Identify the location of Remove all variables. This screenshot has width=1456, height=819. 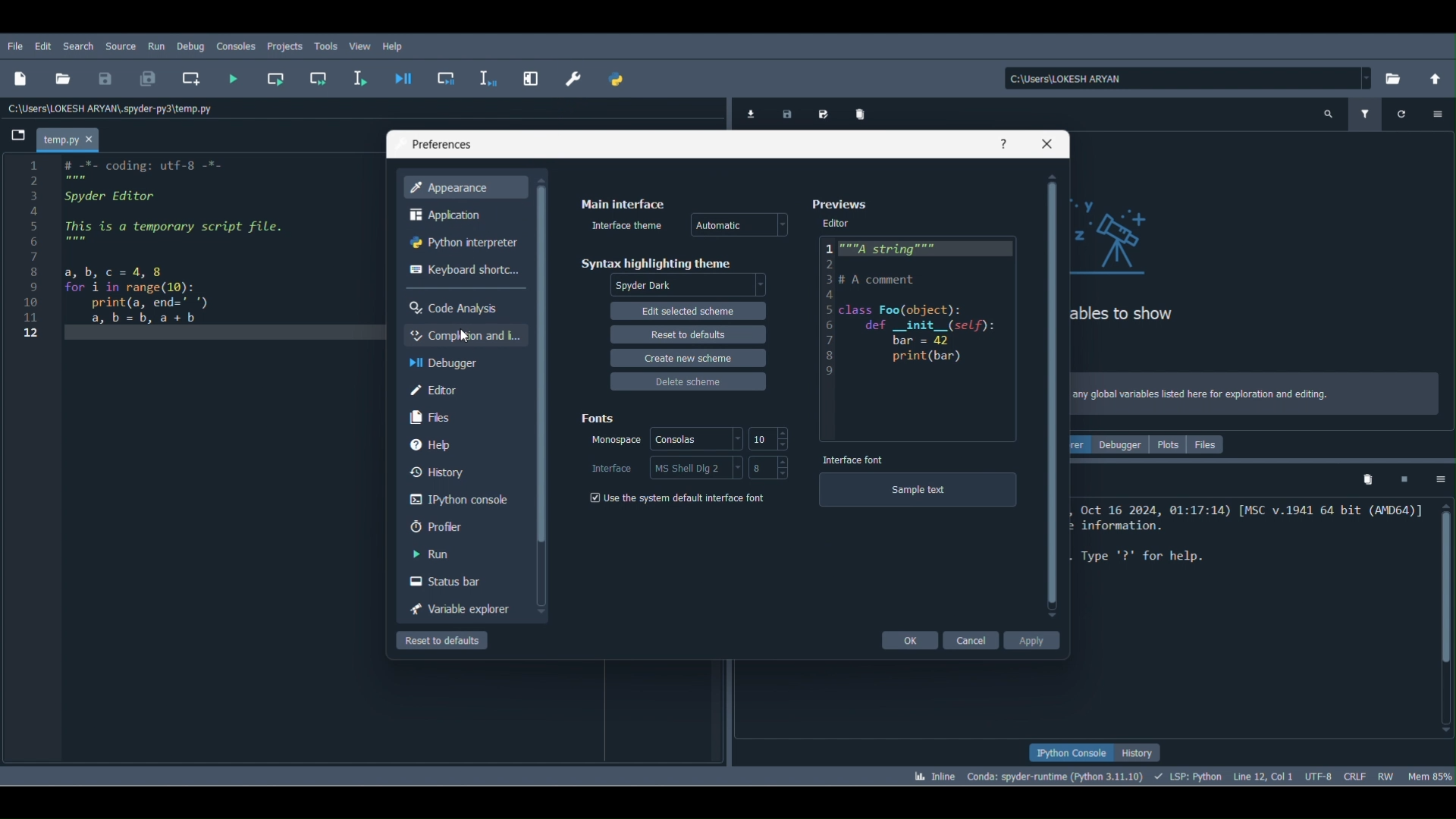
(1370, 480).